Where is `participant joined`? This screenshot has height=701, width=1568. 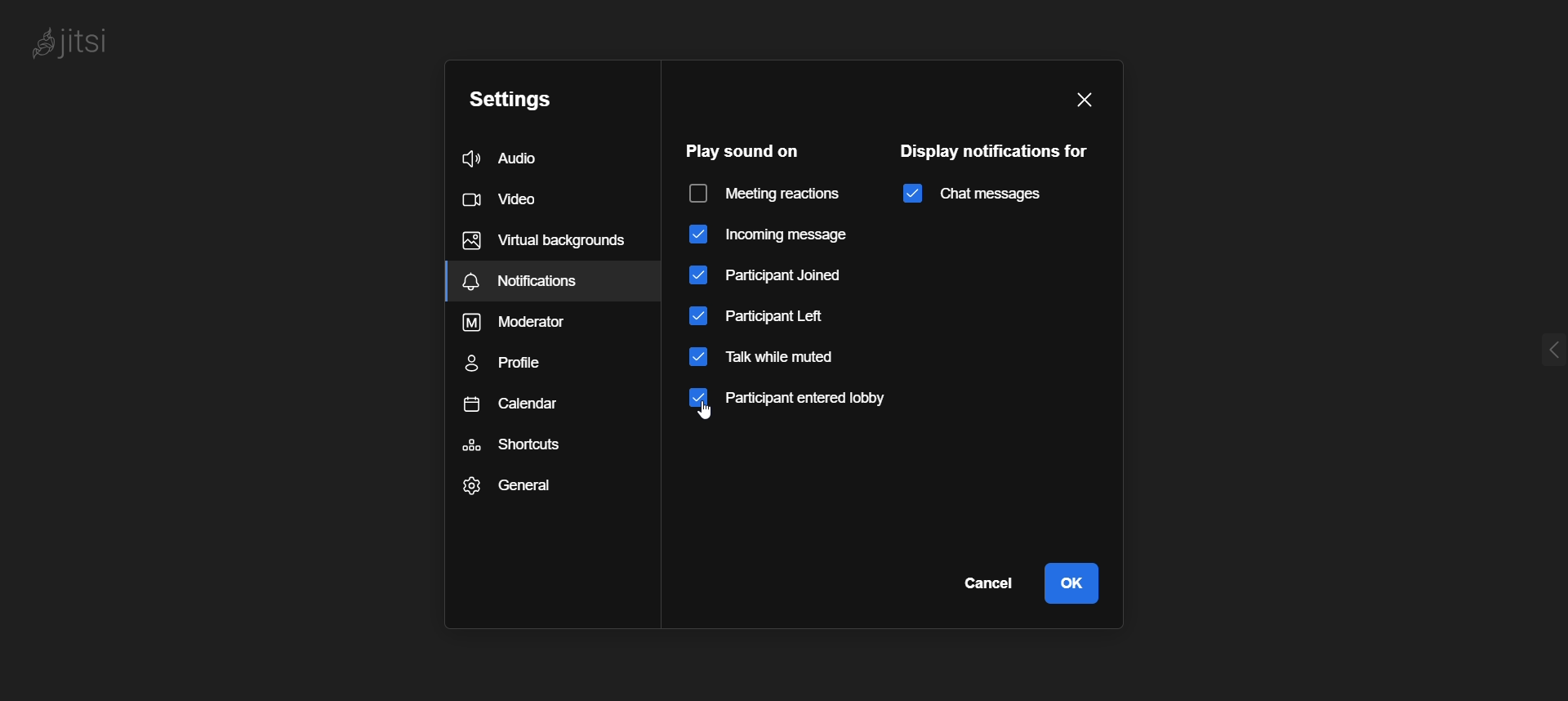
participant joined is located at coordinates (770, 275).